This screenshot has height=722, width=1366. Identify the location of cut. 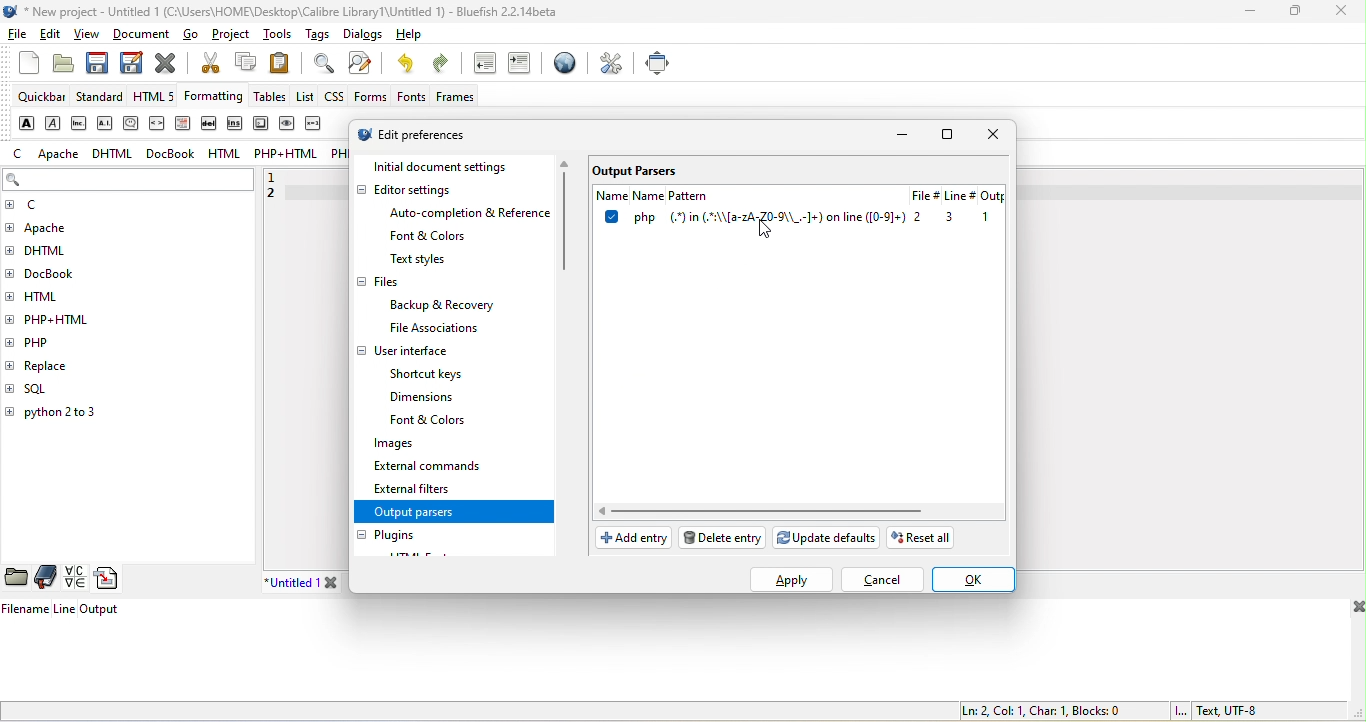
(208, 65).